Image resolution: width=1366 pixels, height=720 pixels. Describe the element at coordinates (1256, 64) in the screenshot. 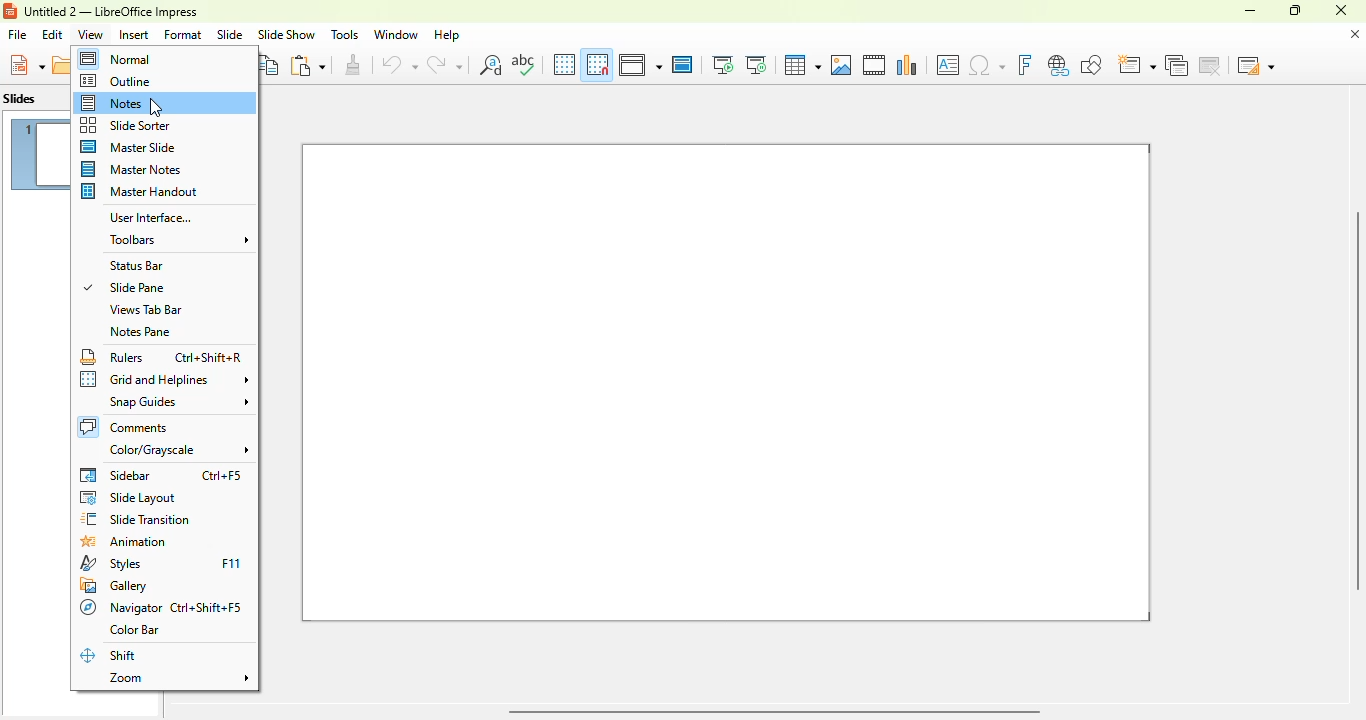

I see `slide layout` at that location.